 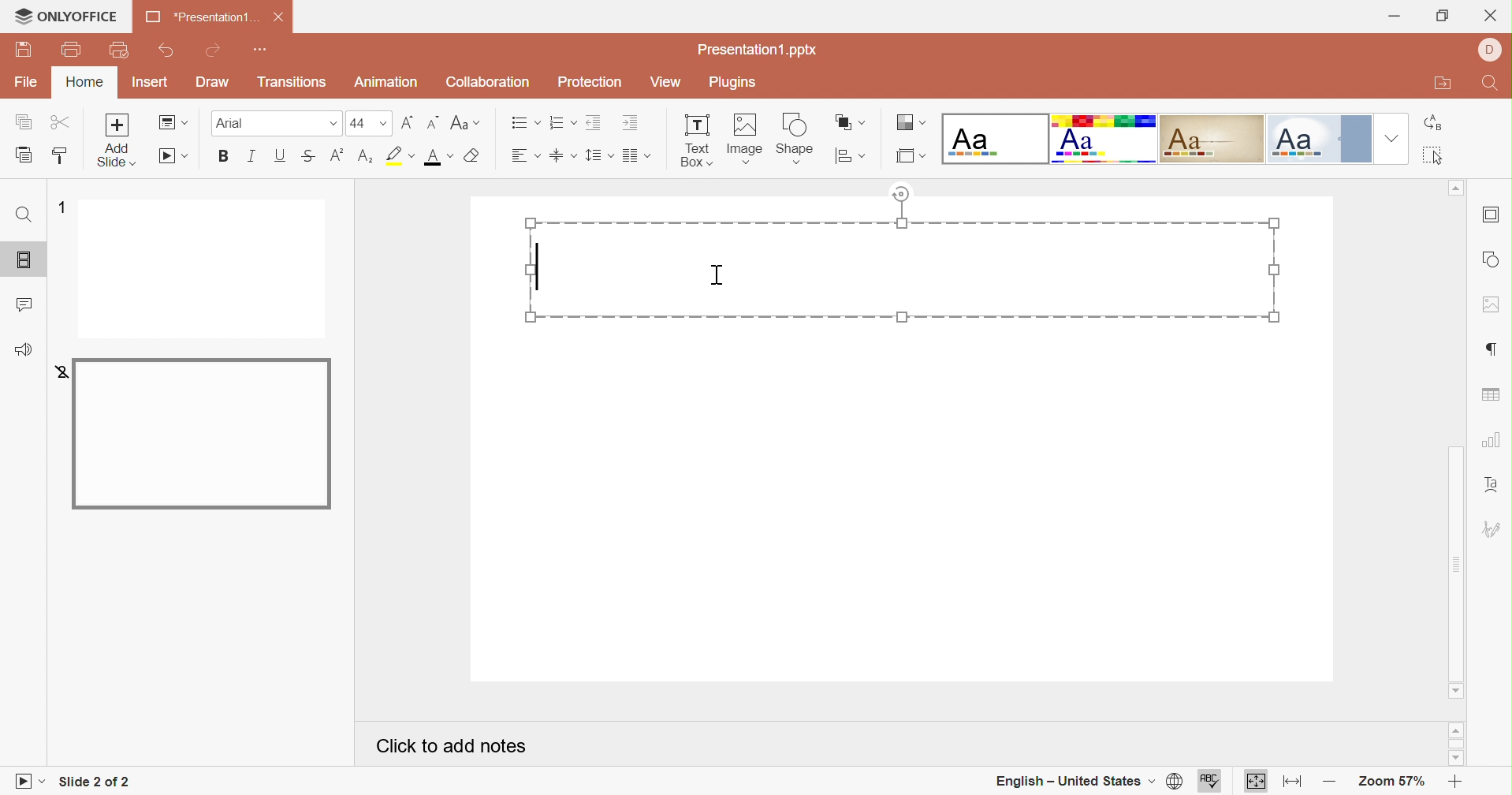 What do you see at coordinates (474, 155) in the screenshot?
I see `Clear style` at bounding box center [474, 155].